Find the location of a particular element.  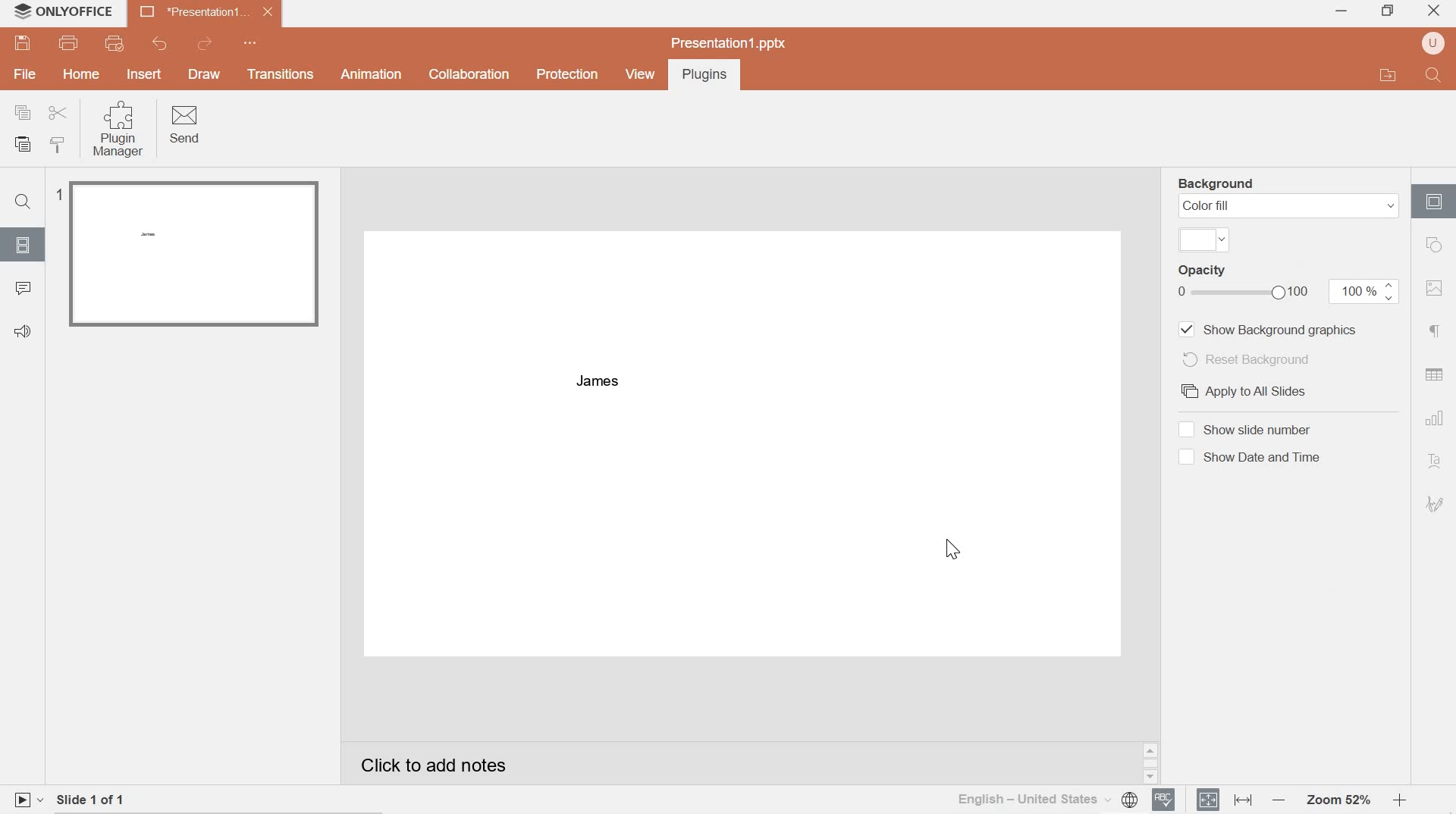

paste is located at coordinates (26, 145).